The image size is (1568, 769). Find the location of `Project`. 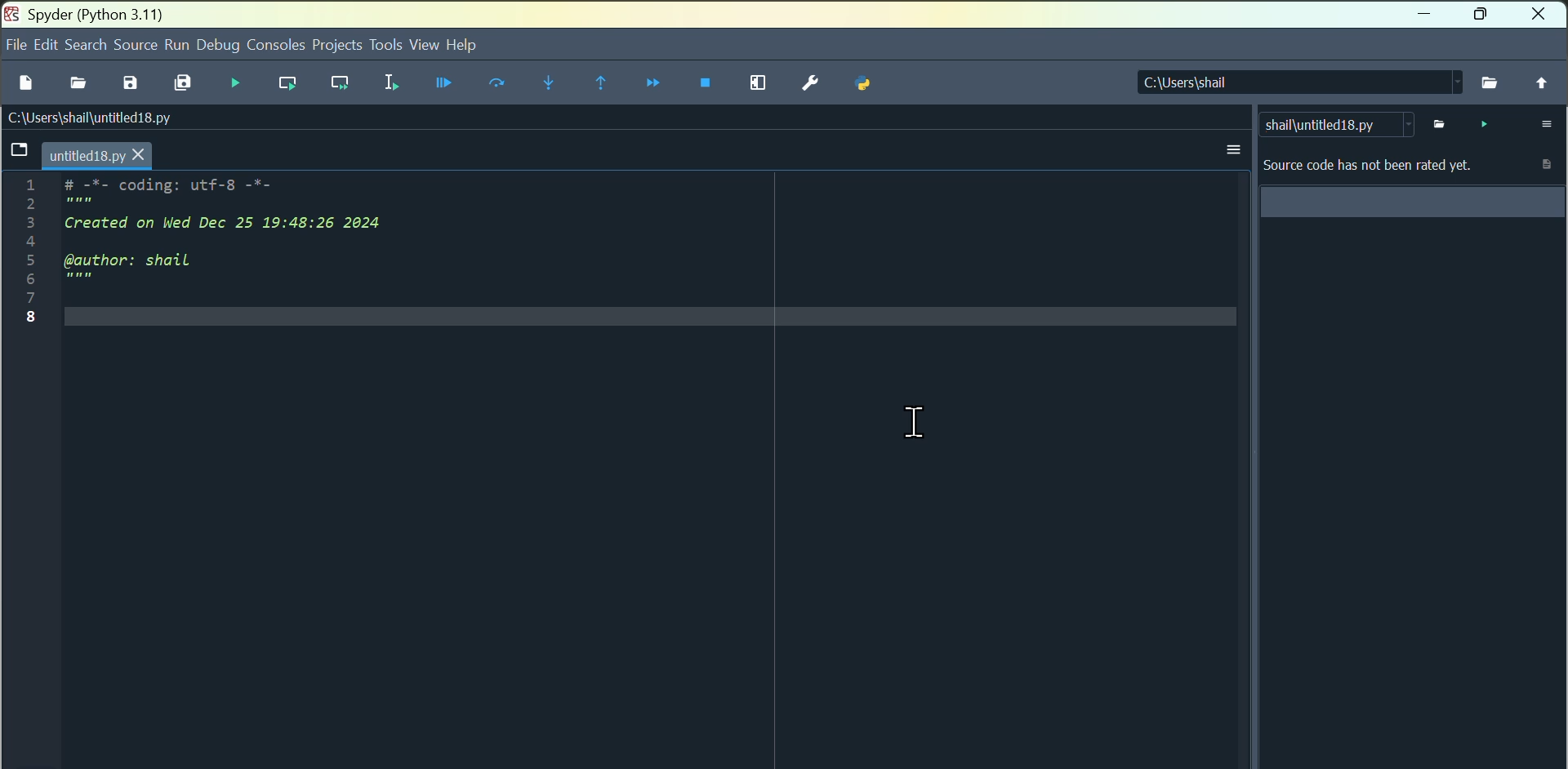

Project is located at coordinates (335, 46).